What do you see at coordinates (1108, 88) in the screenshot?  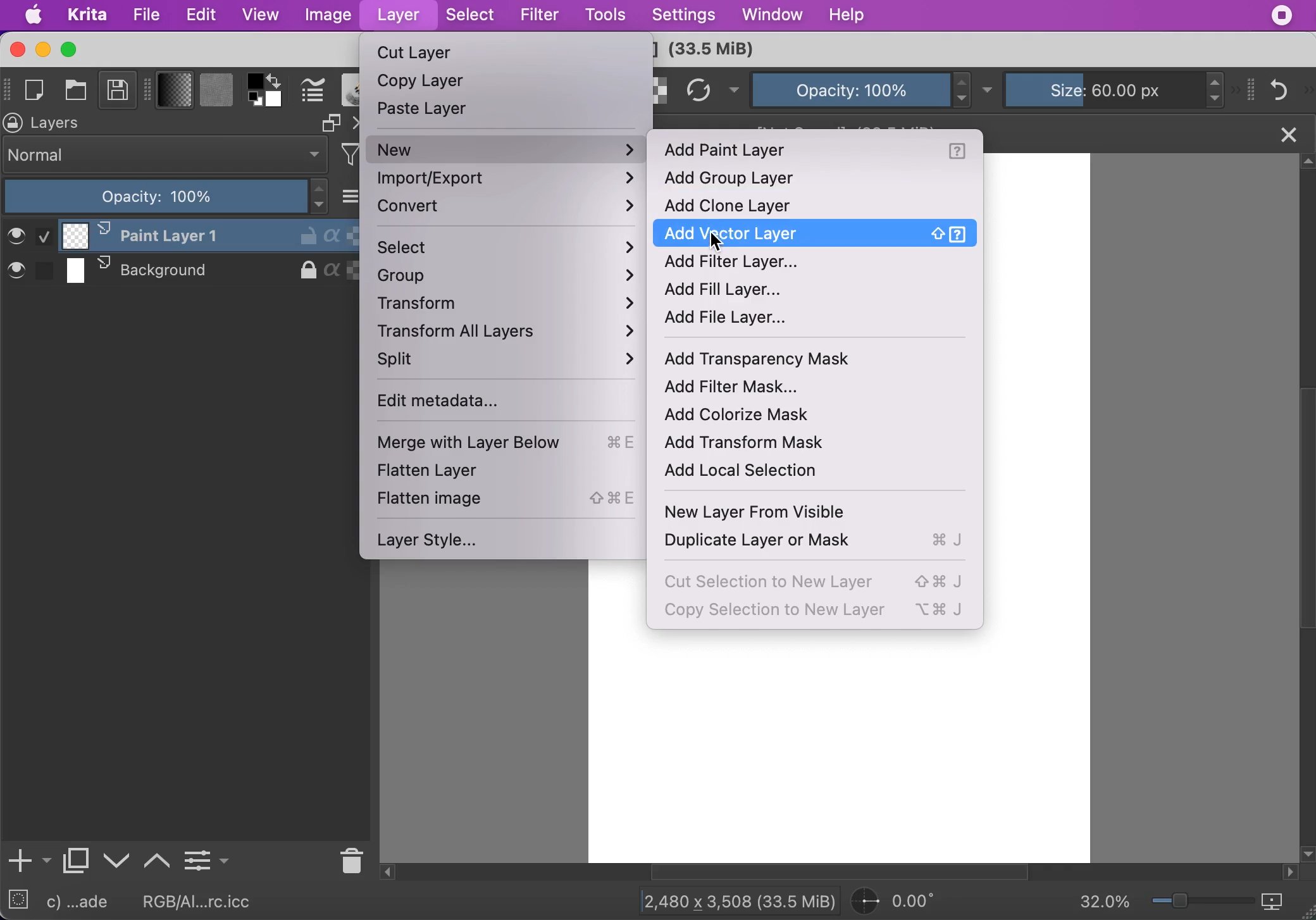 I see `size` at bounding box center [1108, 88].